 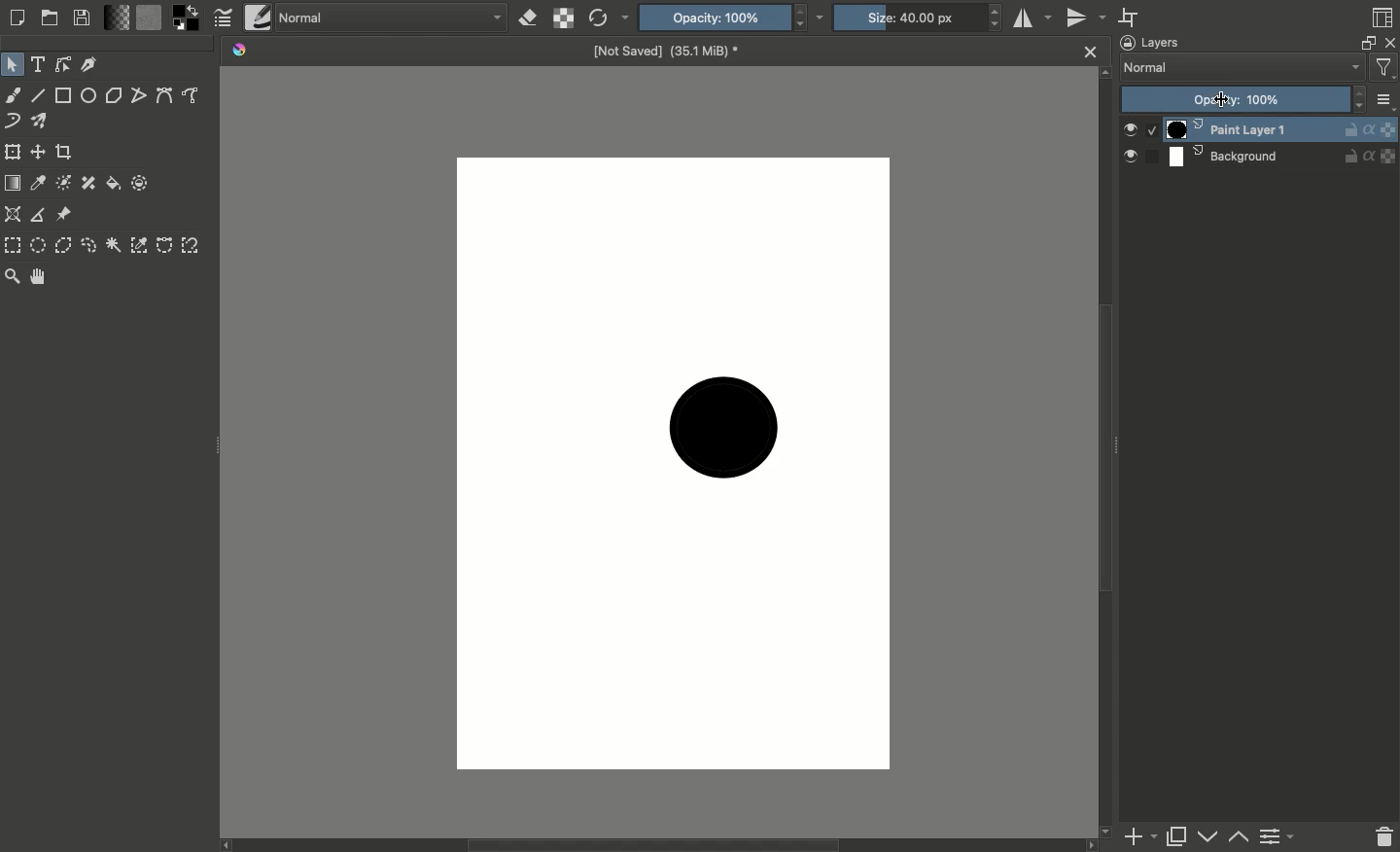 What do you see at coordinates (1239, 836) in the screenshot?
I see `Raise layer` at bounding box center [1239, 836].